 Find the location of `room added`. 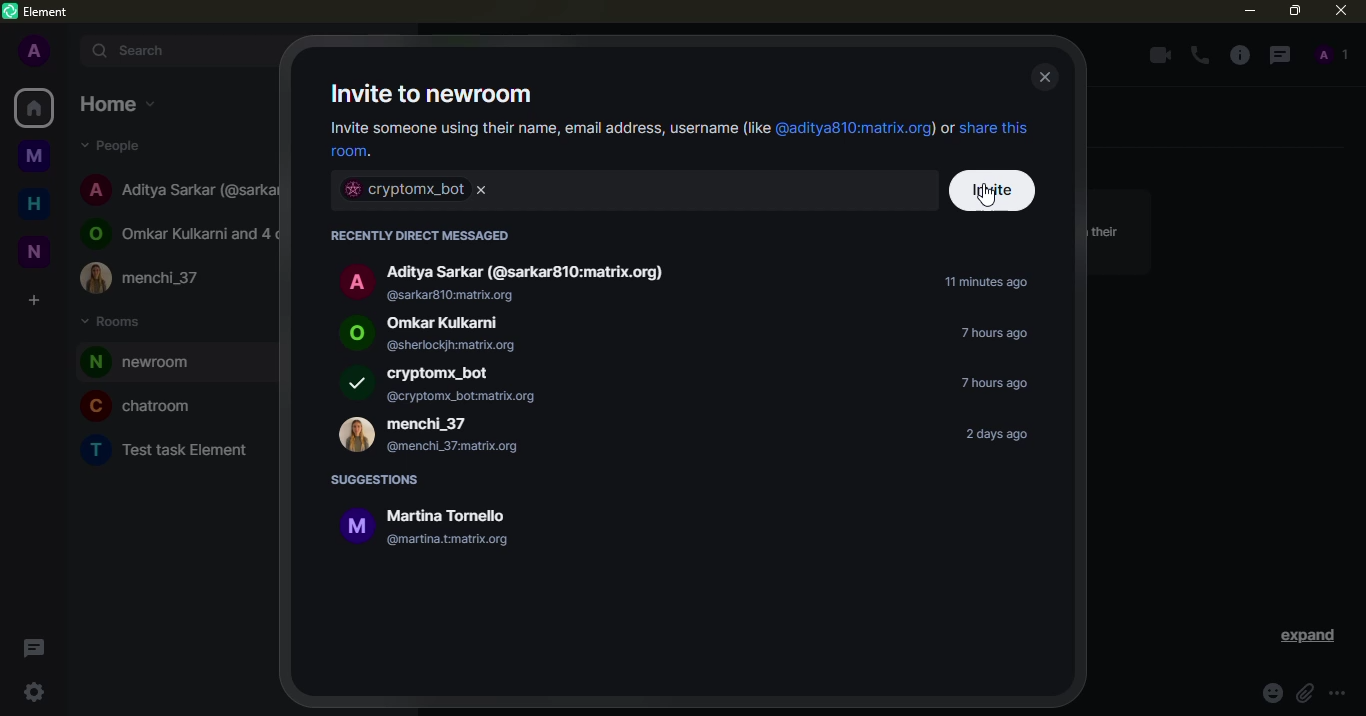

room added is located at coordinates (151, 362).